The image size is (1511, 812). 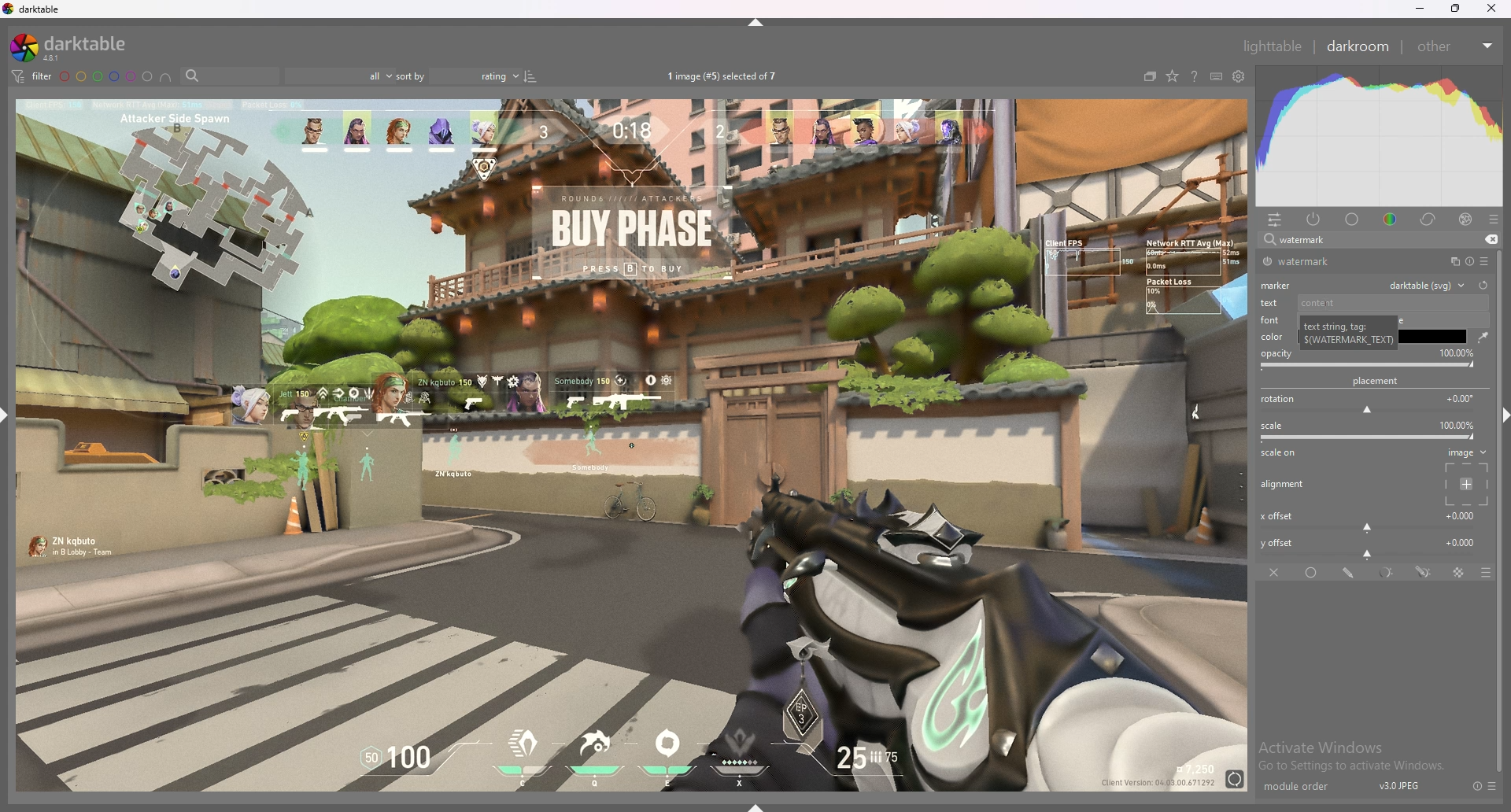 What do you see at coordinates (1314, 219) in the screenshot?
I see `active module` at bounding box center [1314, 219].